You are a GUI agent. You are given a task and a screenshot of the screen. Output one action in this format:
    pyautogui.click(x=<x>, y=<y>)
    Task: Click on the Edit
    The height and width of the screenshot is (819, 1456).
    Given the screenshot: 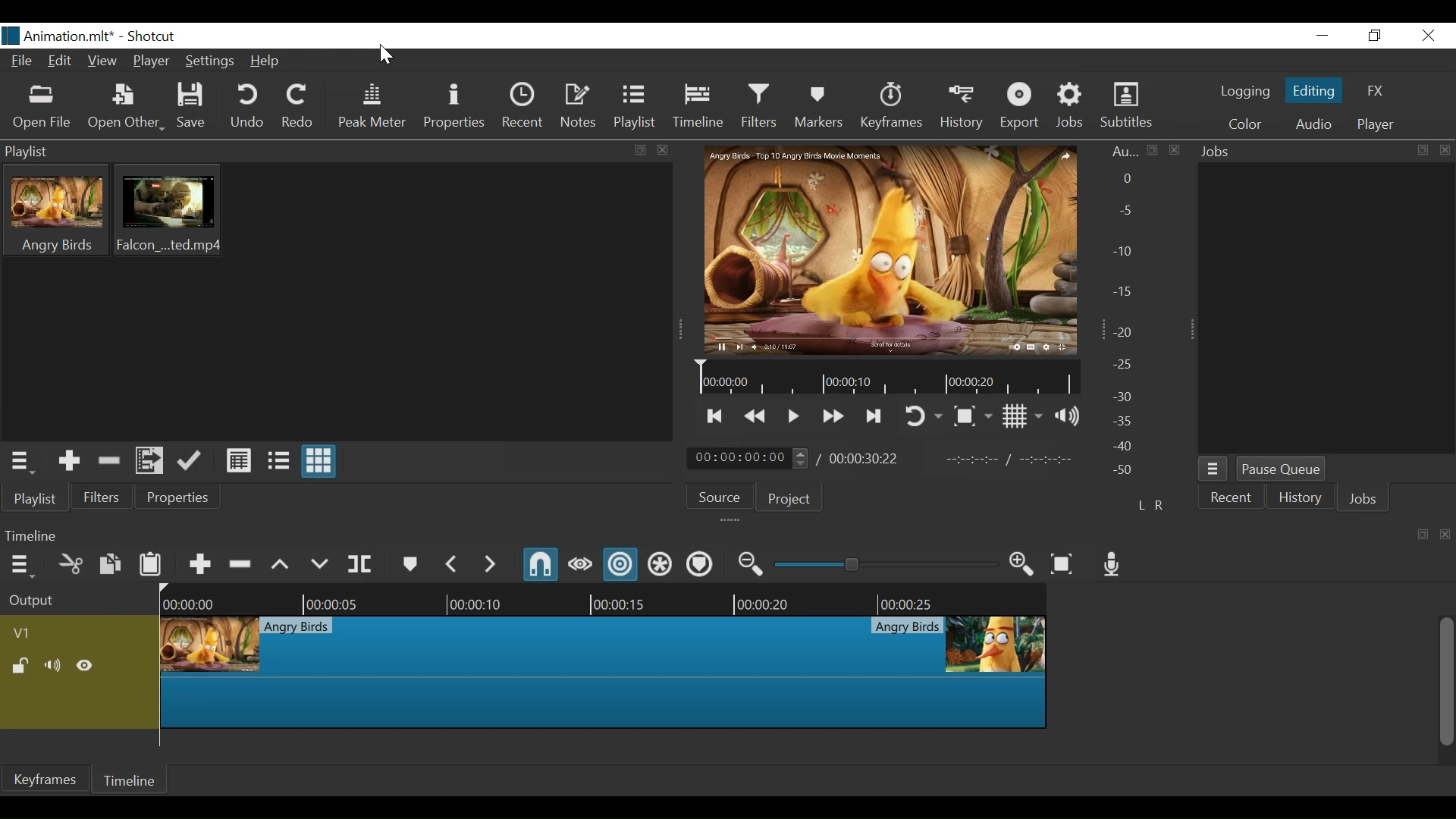 What is the action you would take?
    pyautogui.click(x=61, y=61)
    